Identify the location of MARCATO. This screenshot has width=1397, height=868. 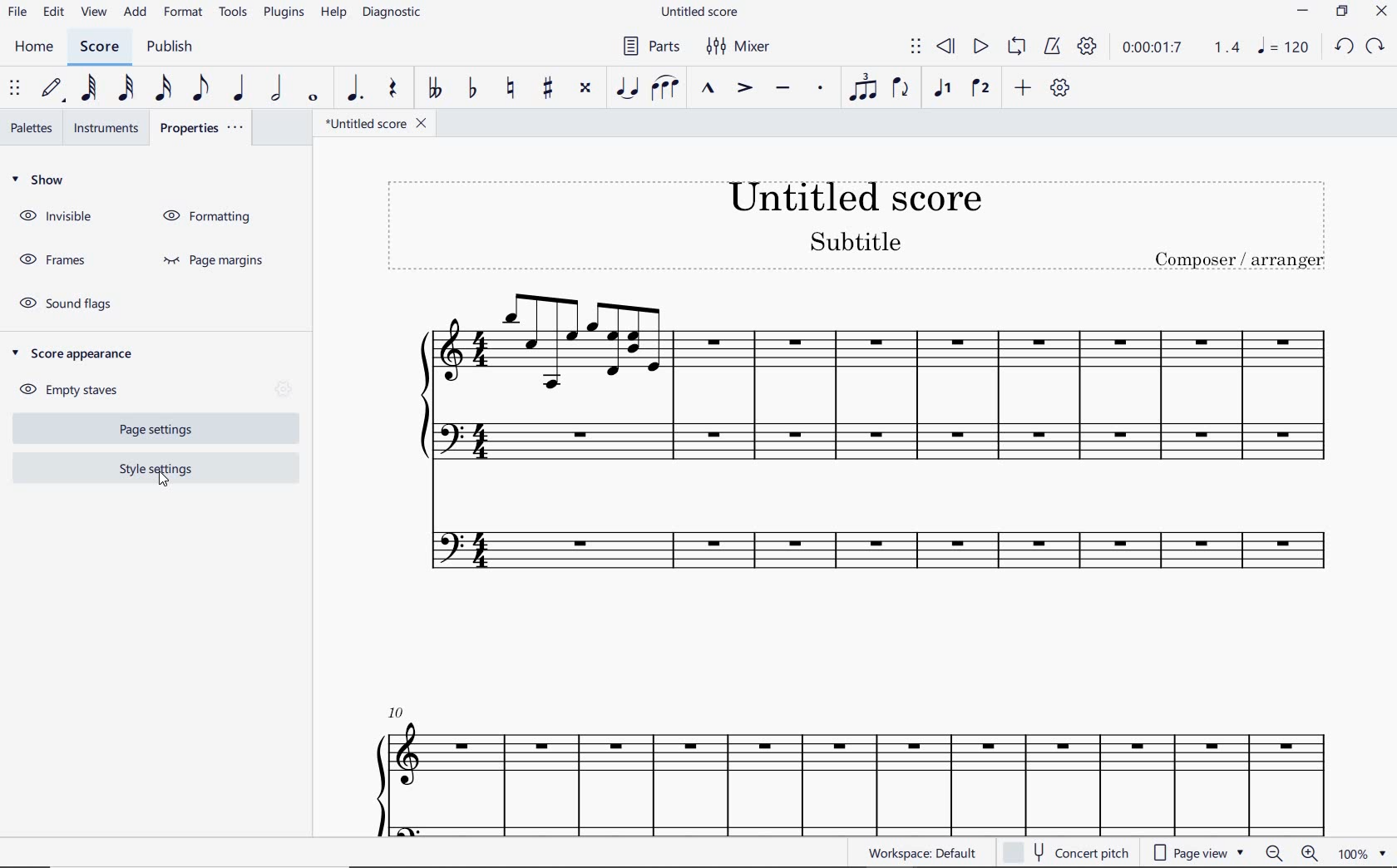
(709, 90).